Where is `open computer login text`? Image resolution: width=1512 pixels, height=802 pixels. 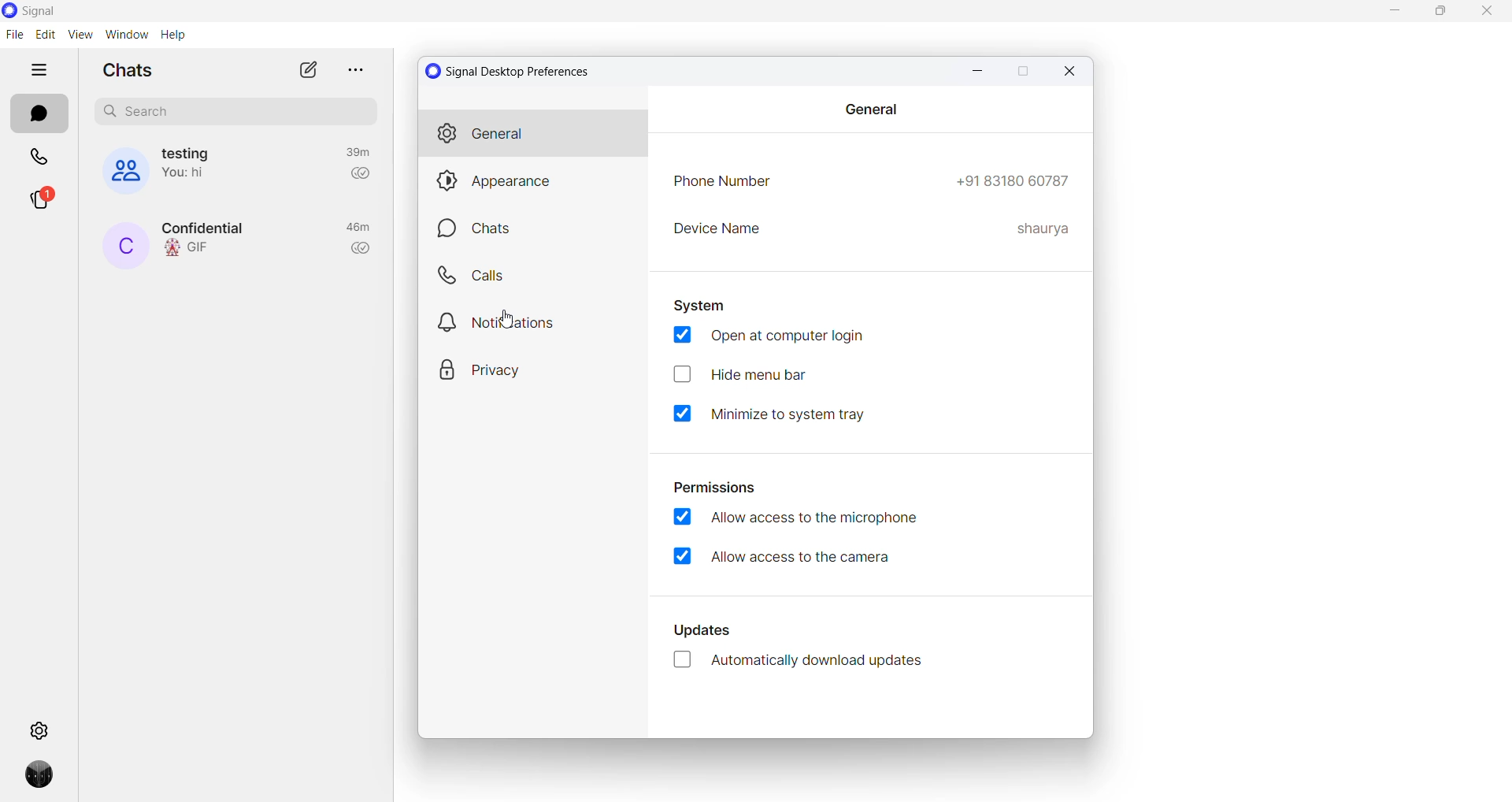 open computer login text is located at coordinates (778, 337).